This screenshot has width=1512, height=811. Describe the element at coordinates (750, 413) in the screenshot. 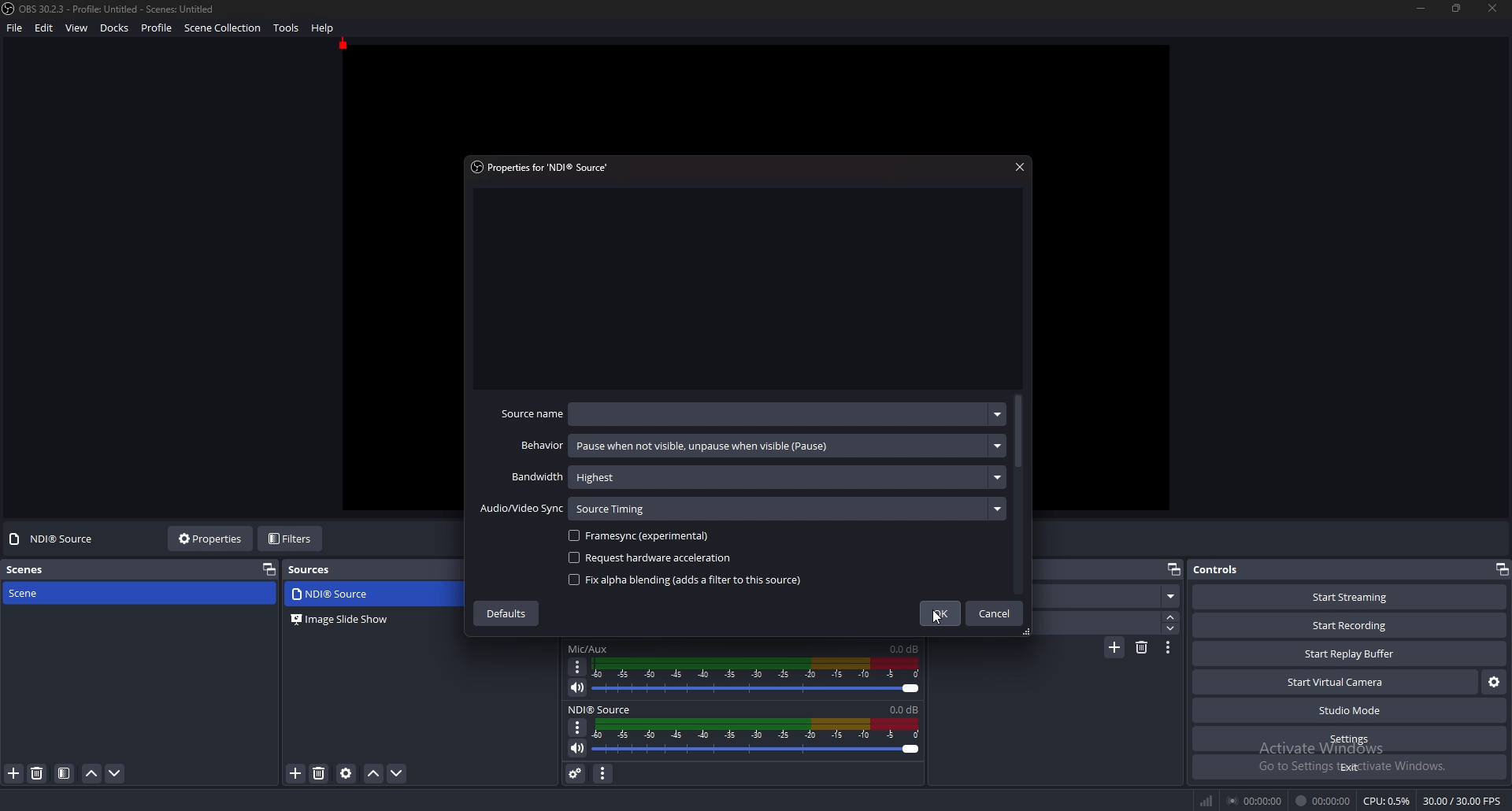

I see `source name` at that location.